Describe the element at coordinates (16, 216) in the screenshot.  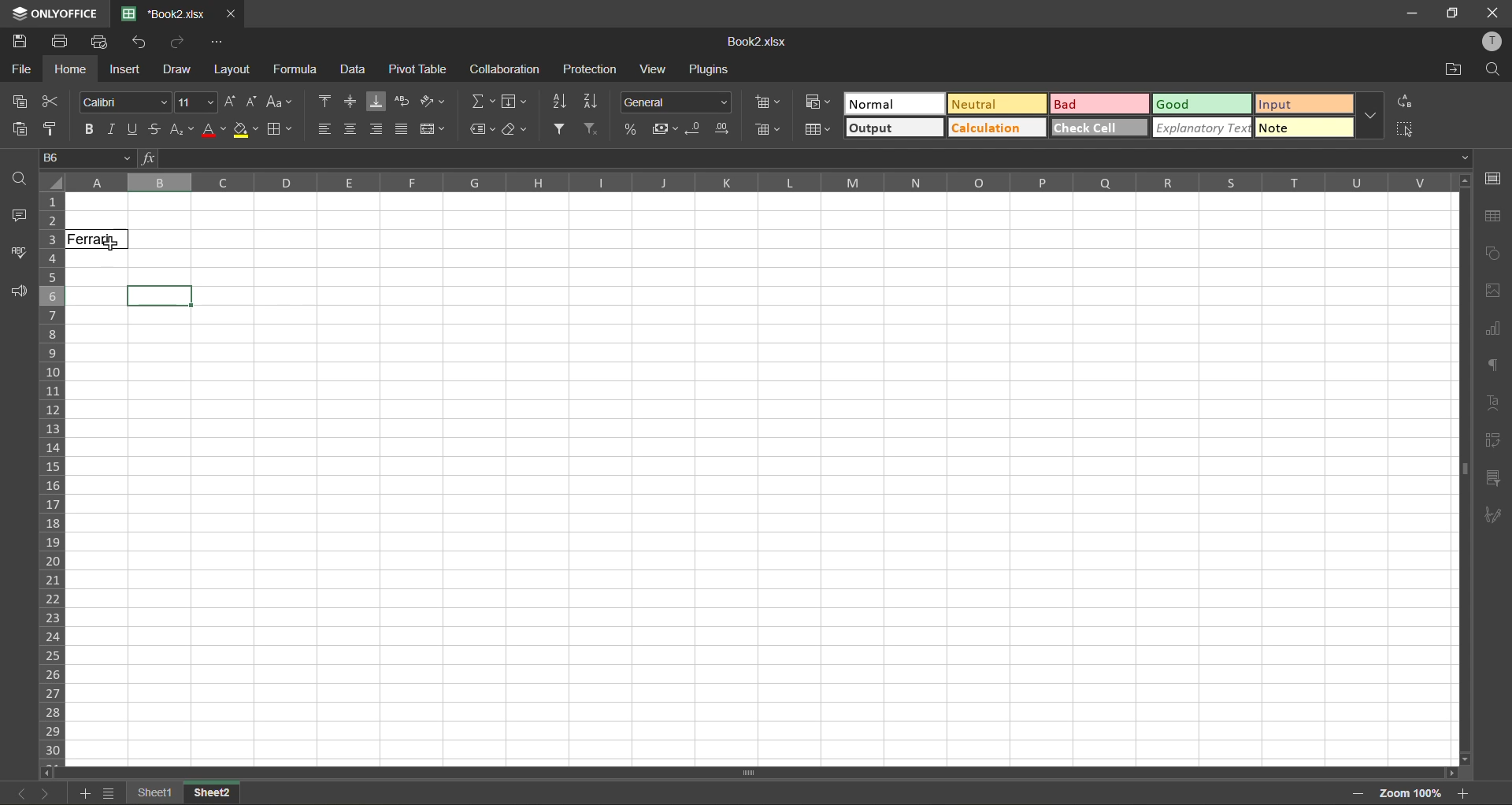
I see `comments` at that location.